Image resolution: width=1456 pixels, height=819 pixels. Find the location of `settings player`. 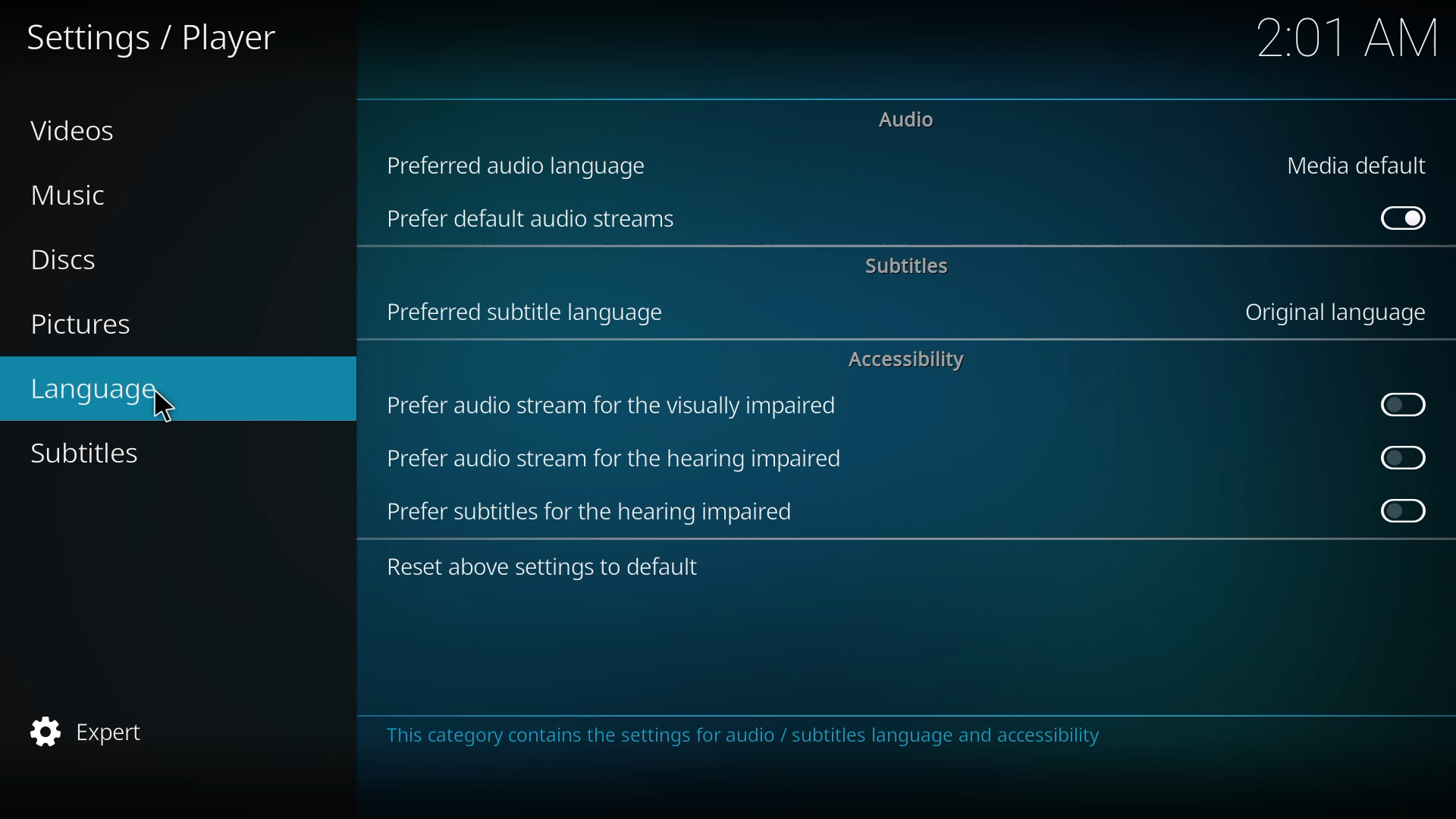

settings player is located at coordinates (153, 35).